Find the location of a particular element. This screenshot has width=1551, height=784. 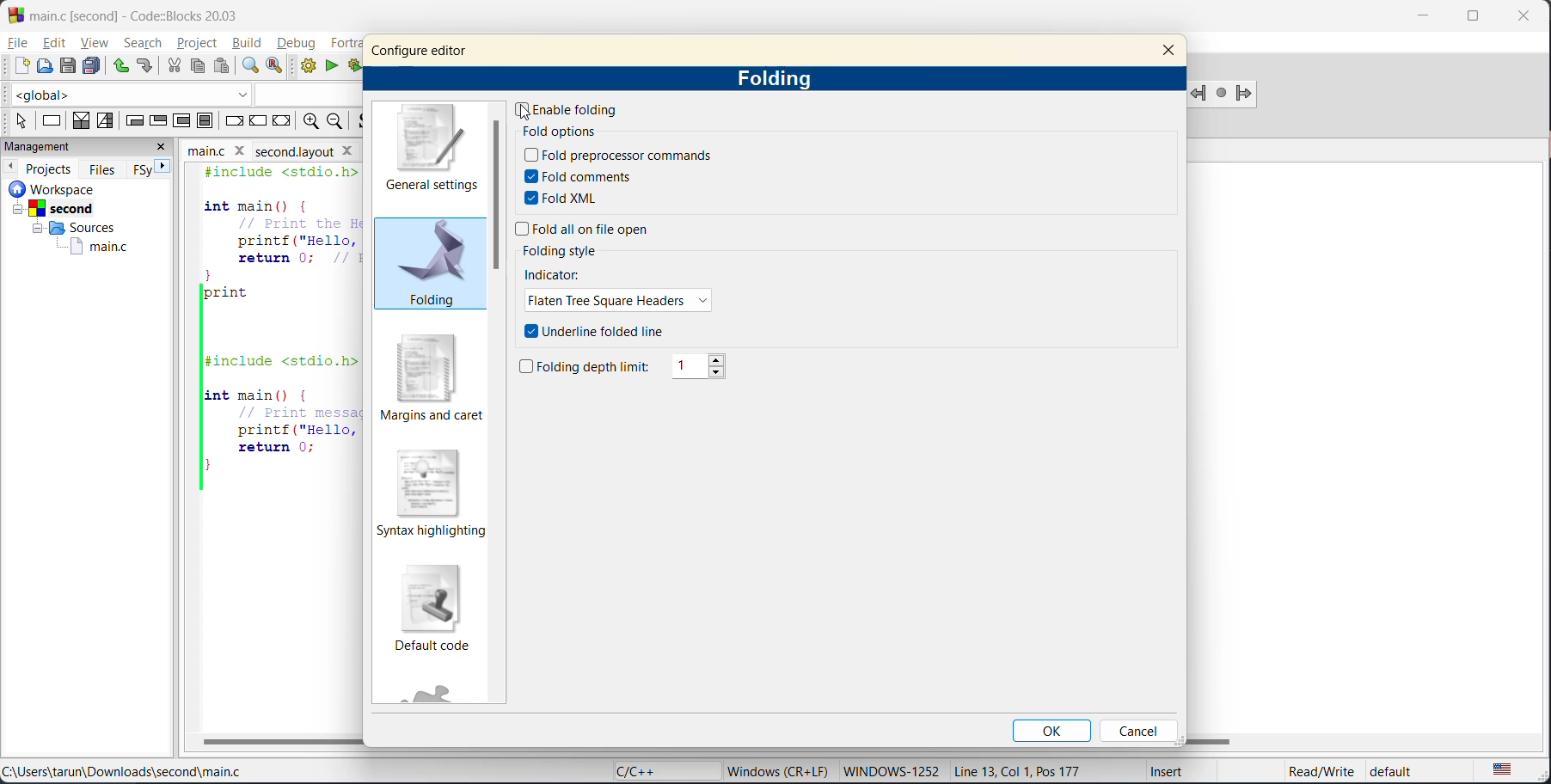

build and run is located at coordinates (359, 65).